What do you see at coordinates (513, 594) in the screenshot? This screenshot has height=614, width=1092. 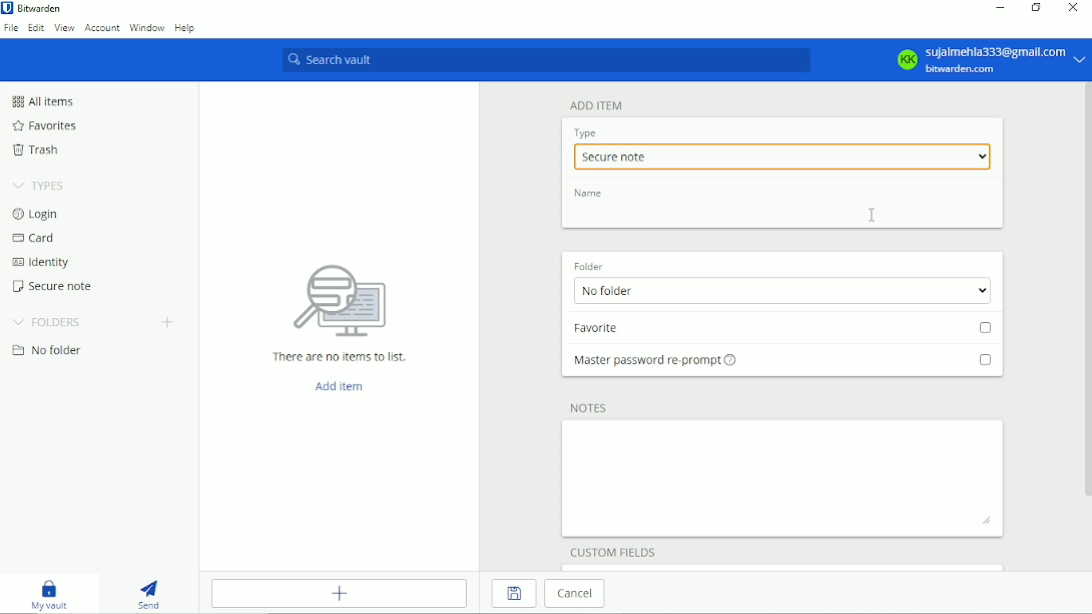 I see `Save` at bounding box center [513, 594].